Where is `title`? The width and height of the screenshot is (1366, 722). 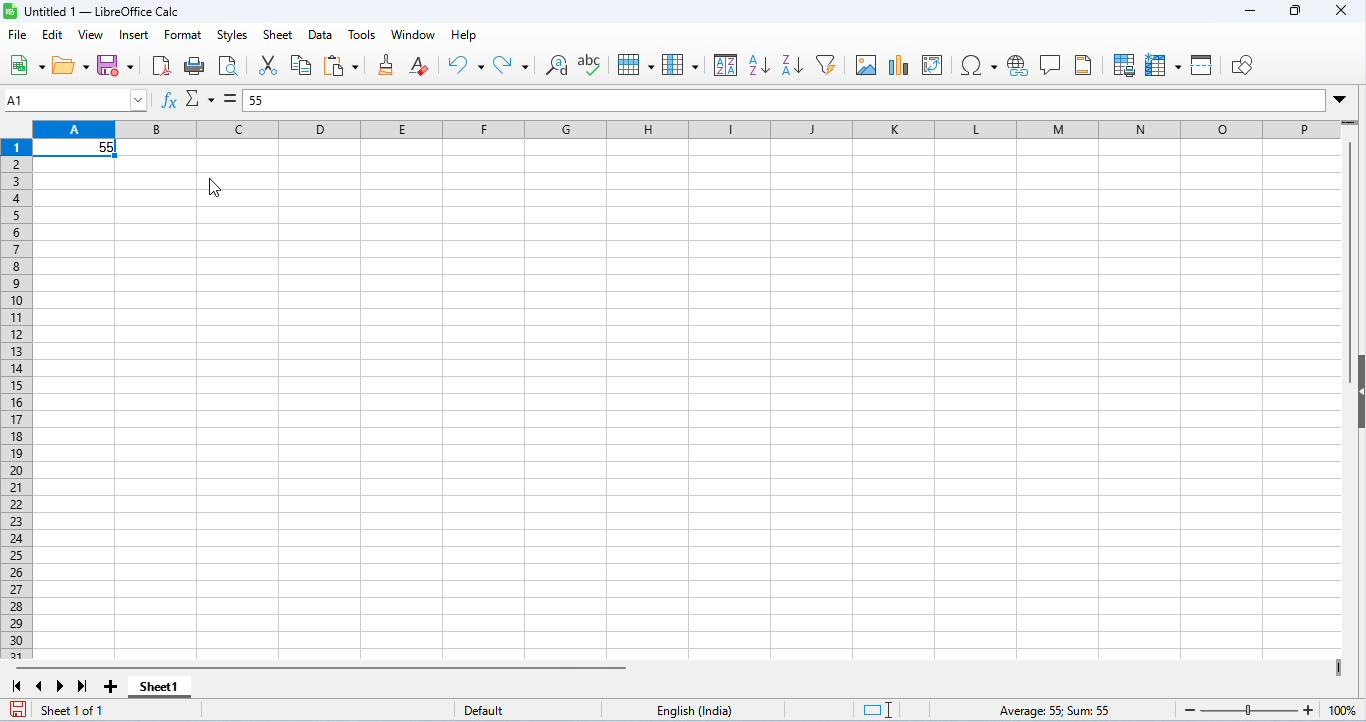
title is located at coordinates (92, 11).